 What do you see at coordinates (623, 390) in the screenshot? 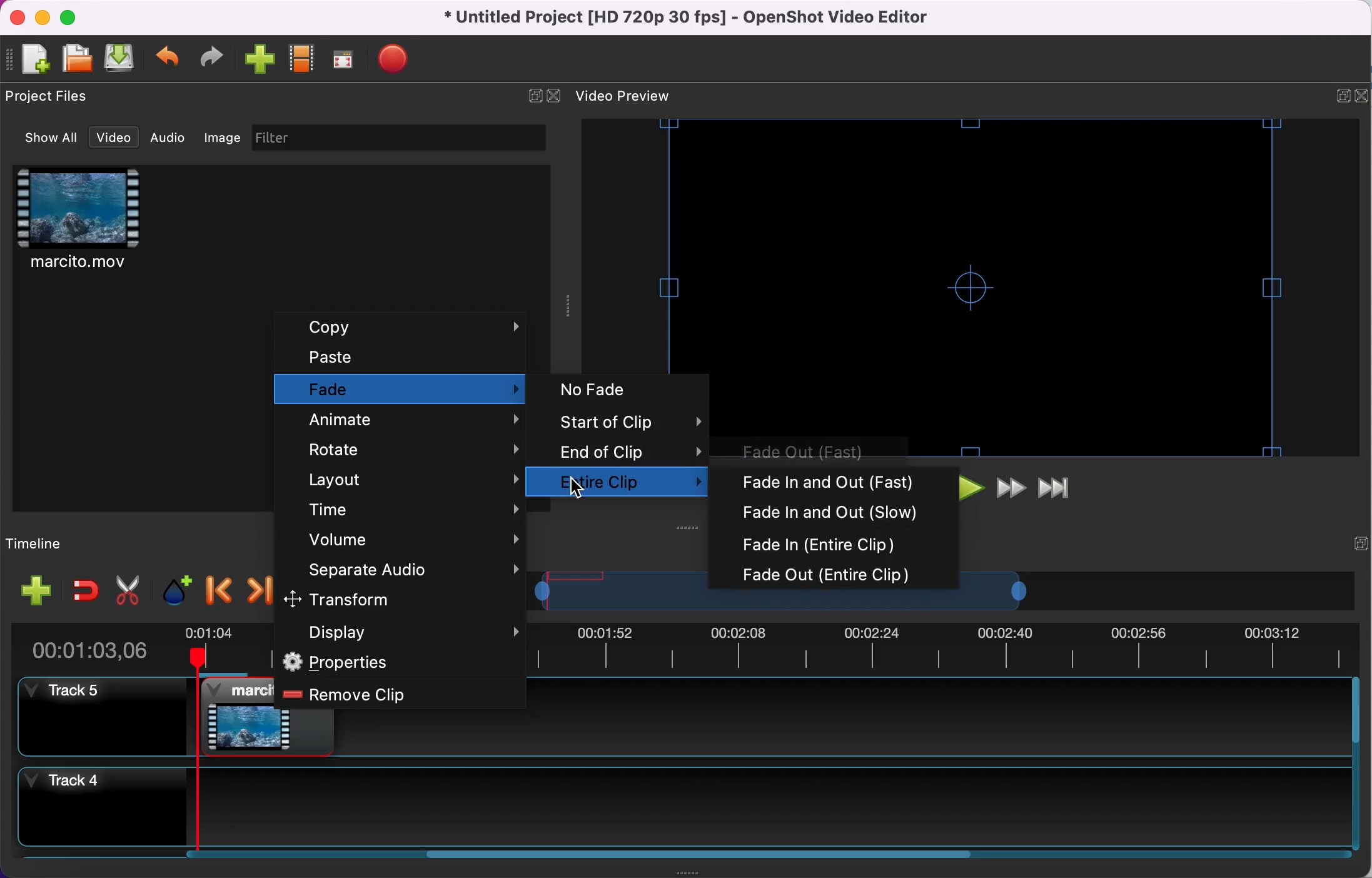
I see `no fade` at bounding box center [623, 390].